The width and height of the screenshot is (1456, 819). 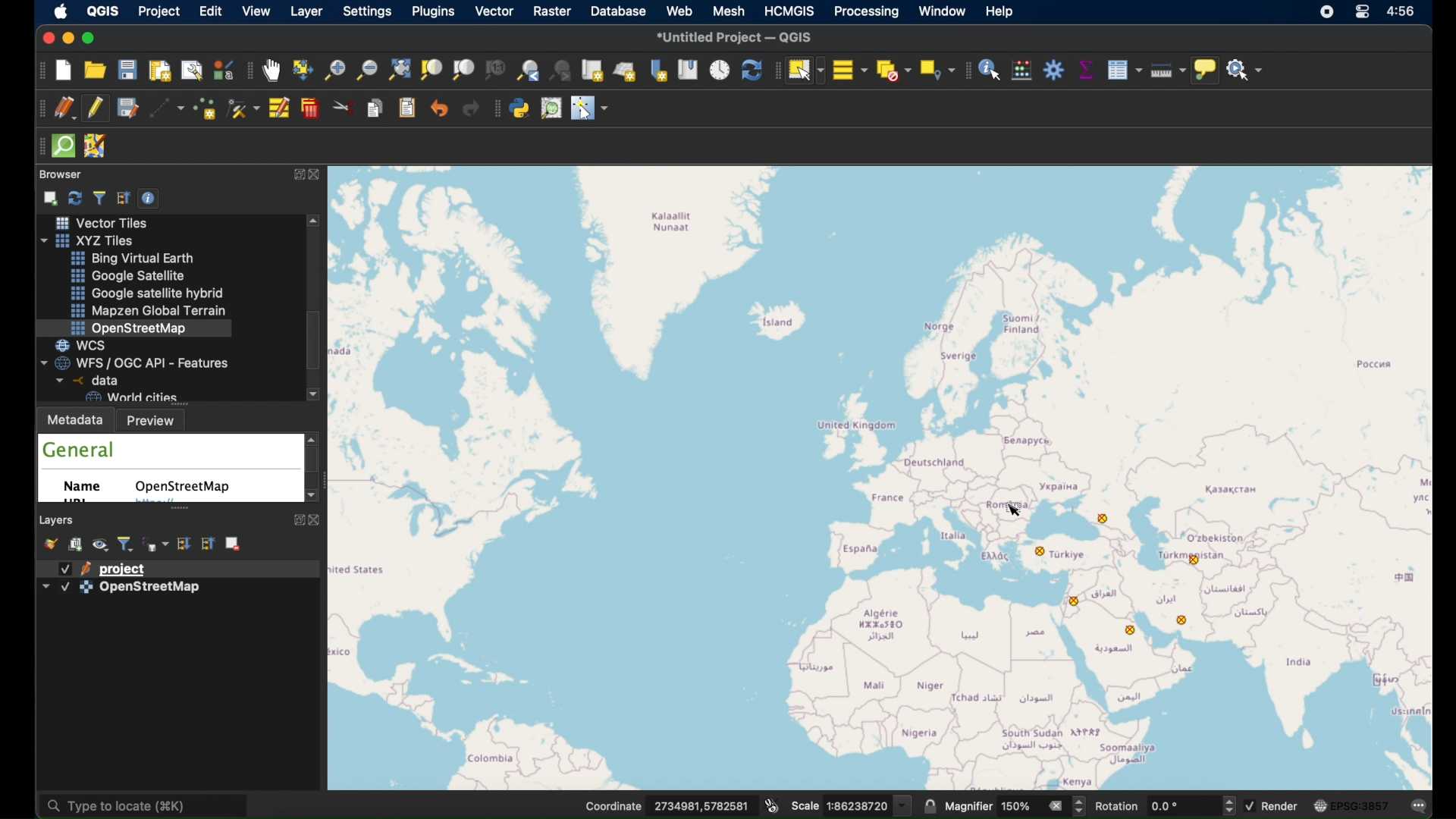 I want to click on database, so click(x=617, y=11).